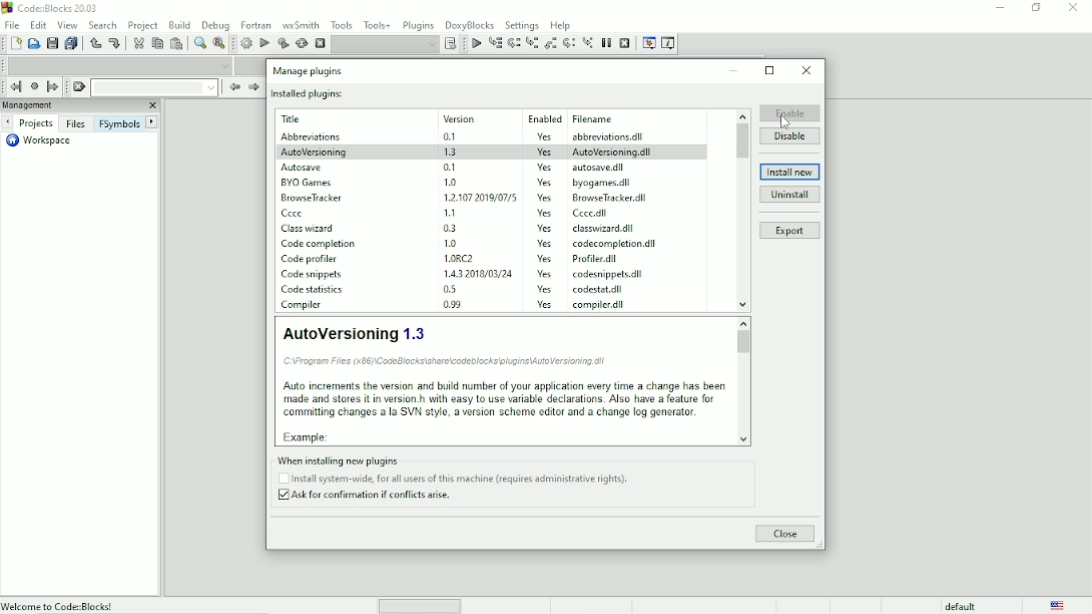 This screenshot has height=614, width=1092. What do you see at coordinates (790, 194) in the screenshot?
I see `uninstall` at bounding box center [790, 194].